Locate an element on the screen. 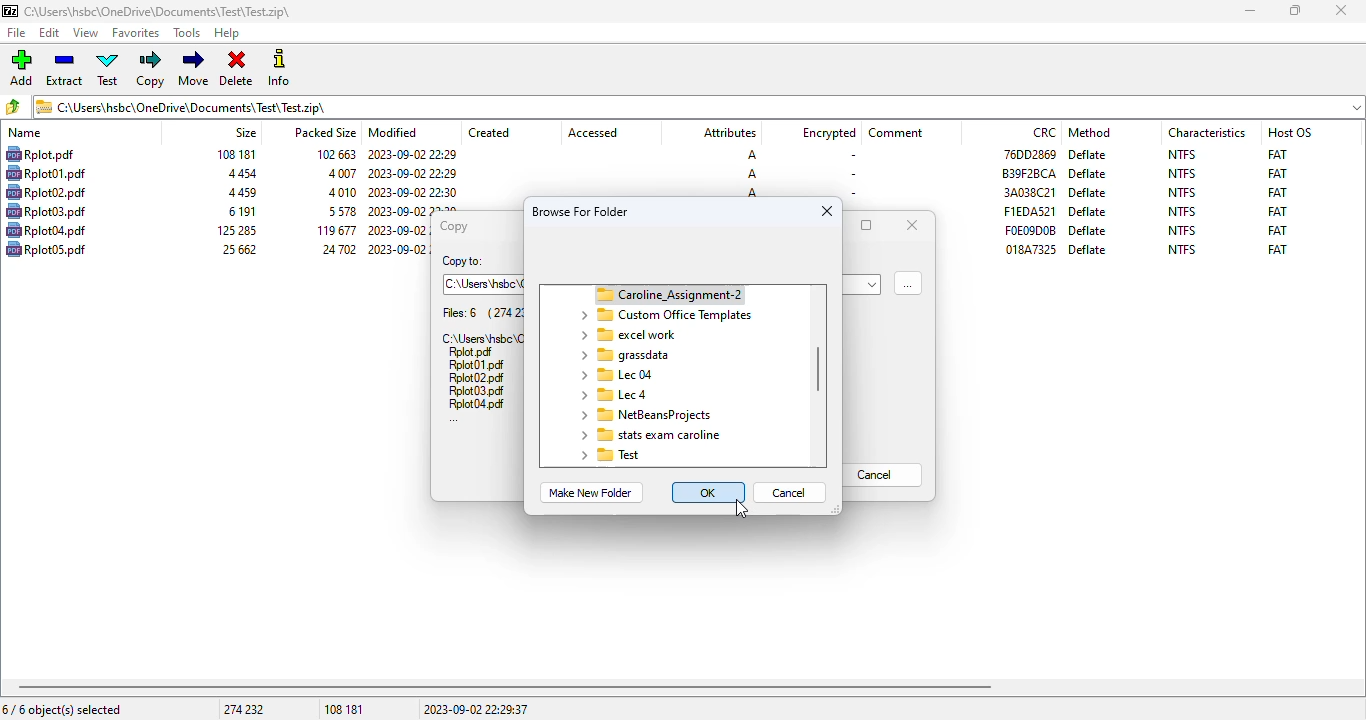 This screenshot has height=720, width=1366. method is located at coordinates (1089, 132).